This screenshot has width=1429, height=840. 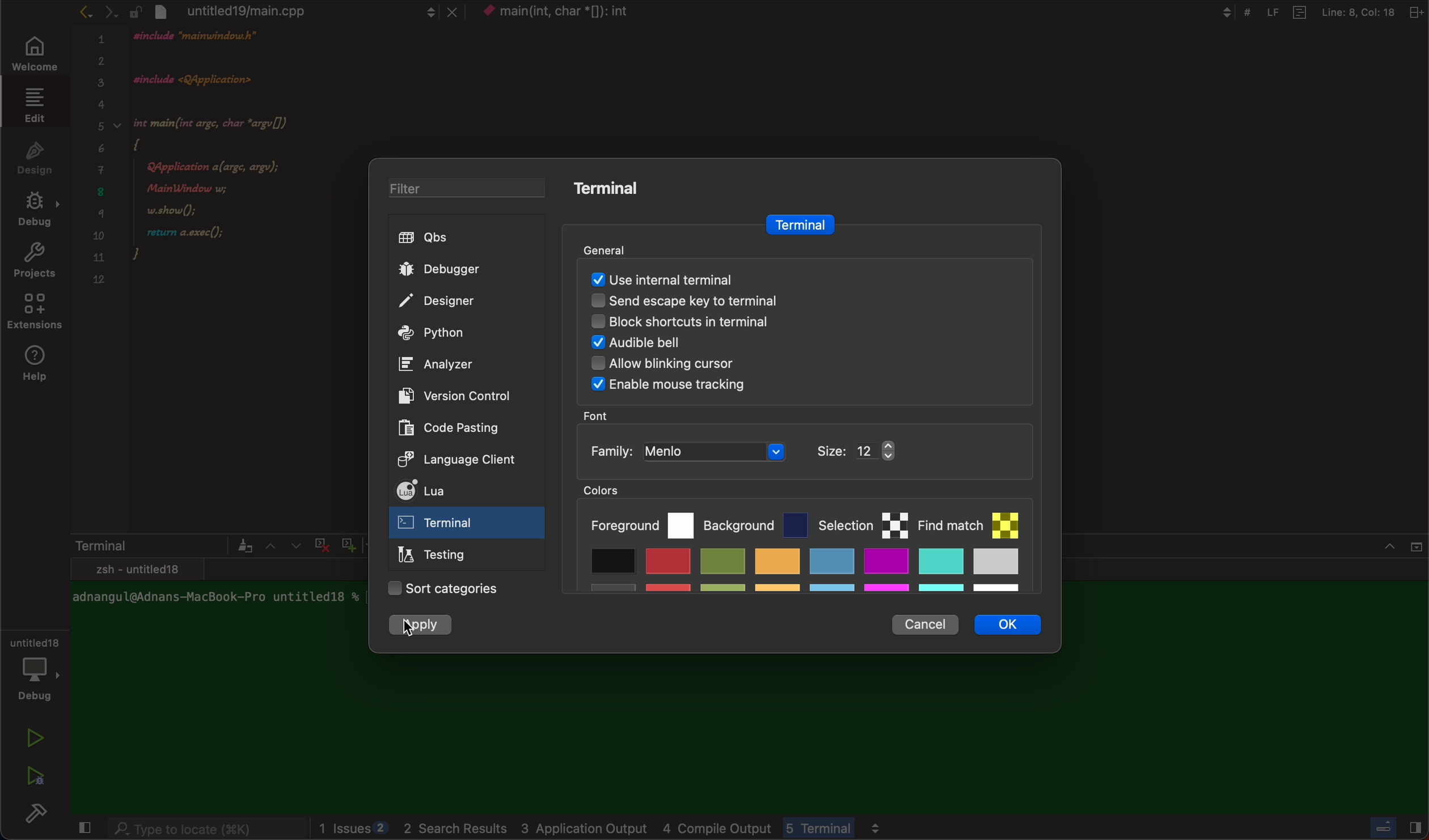 I want to click on filter, so click(x=458, y=190).